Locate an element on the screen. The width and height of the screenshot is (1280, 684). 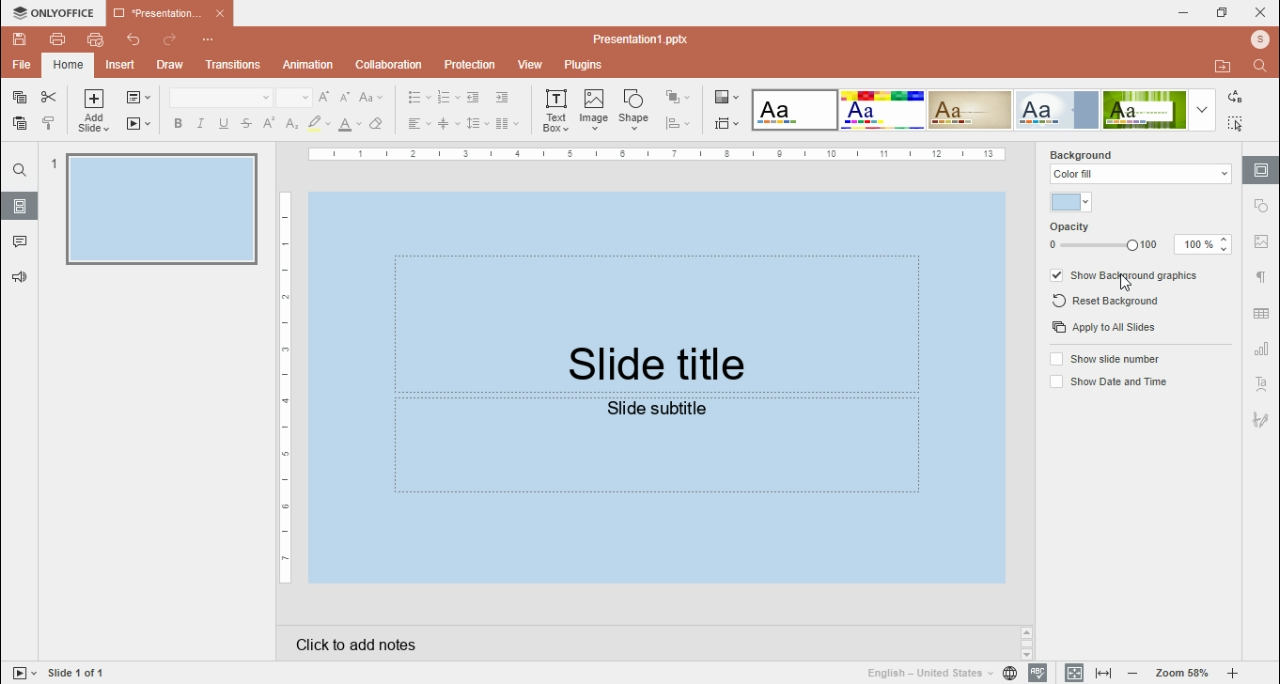
theme 3 is located at coordinates (971, 110).